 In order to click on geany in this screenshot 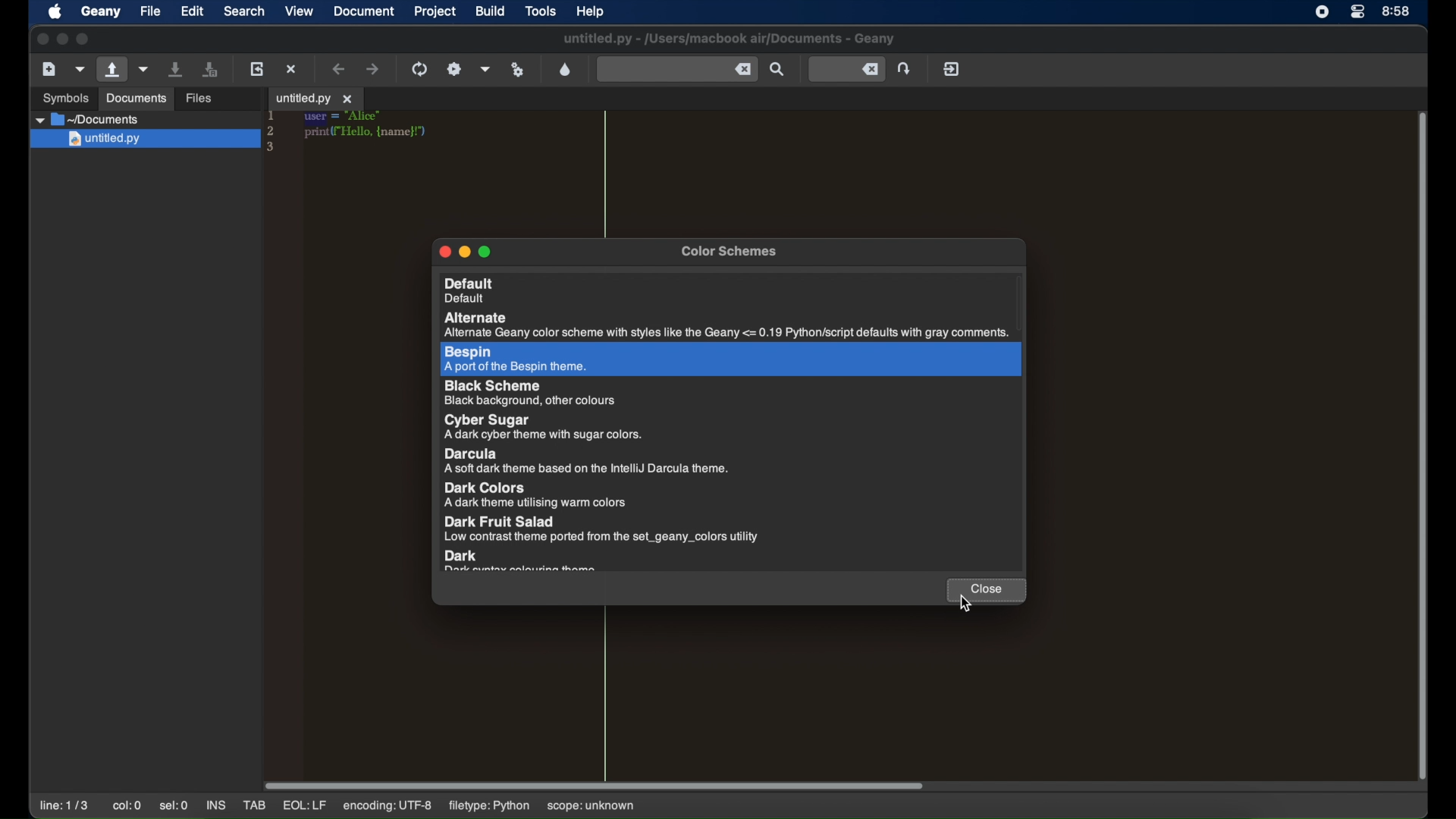, I will do `click(99, 12)`.